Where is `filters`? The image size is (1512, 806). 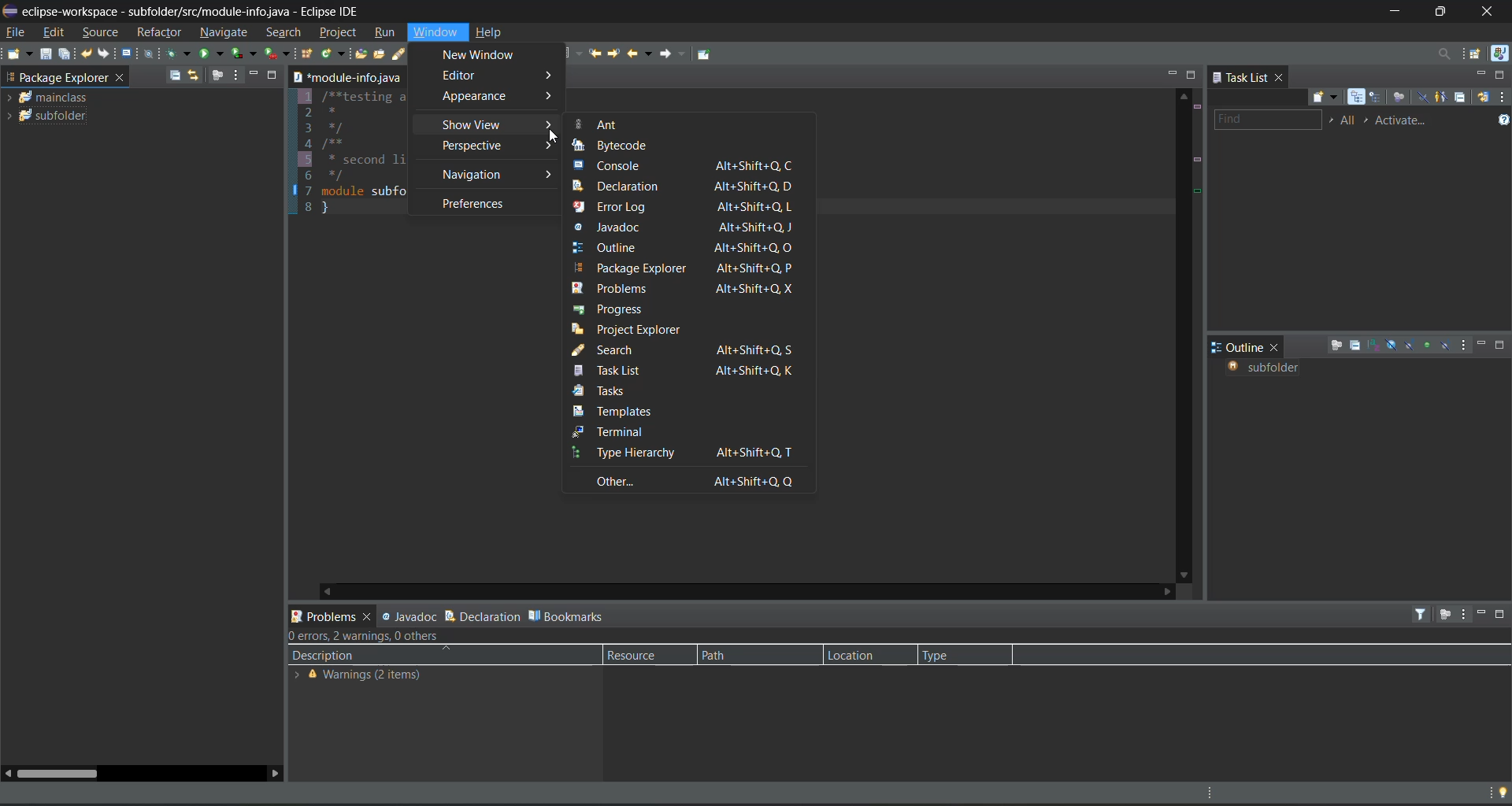
filters is located at coordinates (1423, 614).